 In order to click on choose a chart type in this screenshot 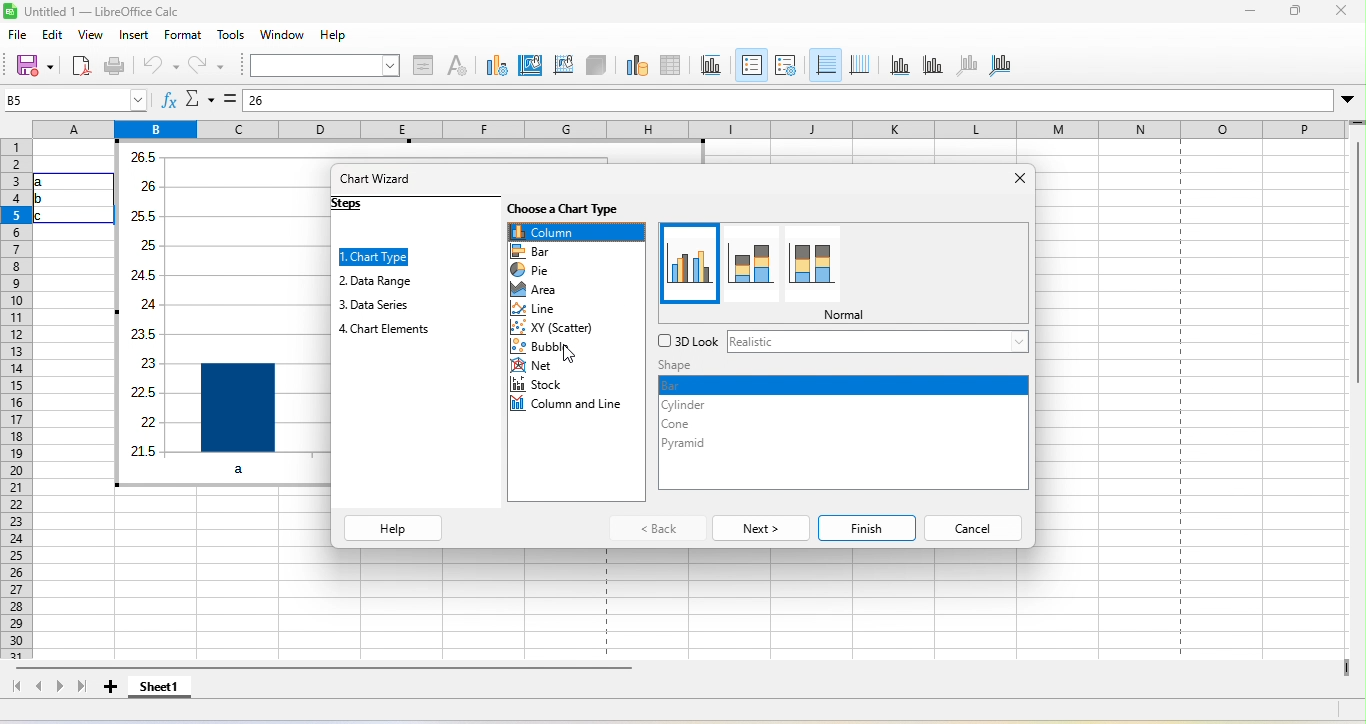, I will do `click(570, 208)`.